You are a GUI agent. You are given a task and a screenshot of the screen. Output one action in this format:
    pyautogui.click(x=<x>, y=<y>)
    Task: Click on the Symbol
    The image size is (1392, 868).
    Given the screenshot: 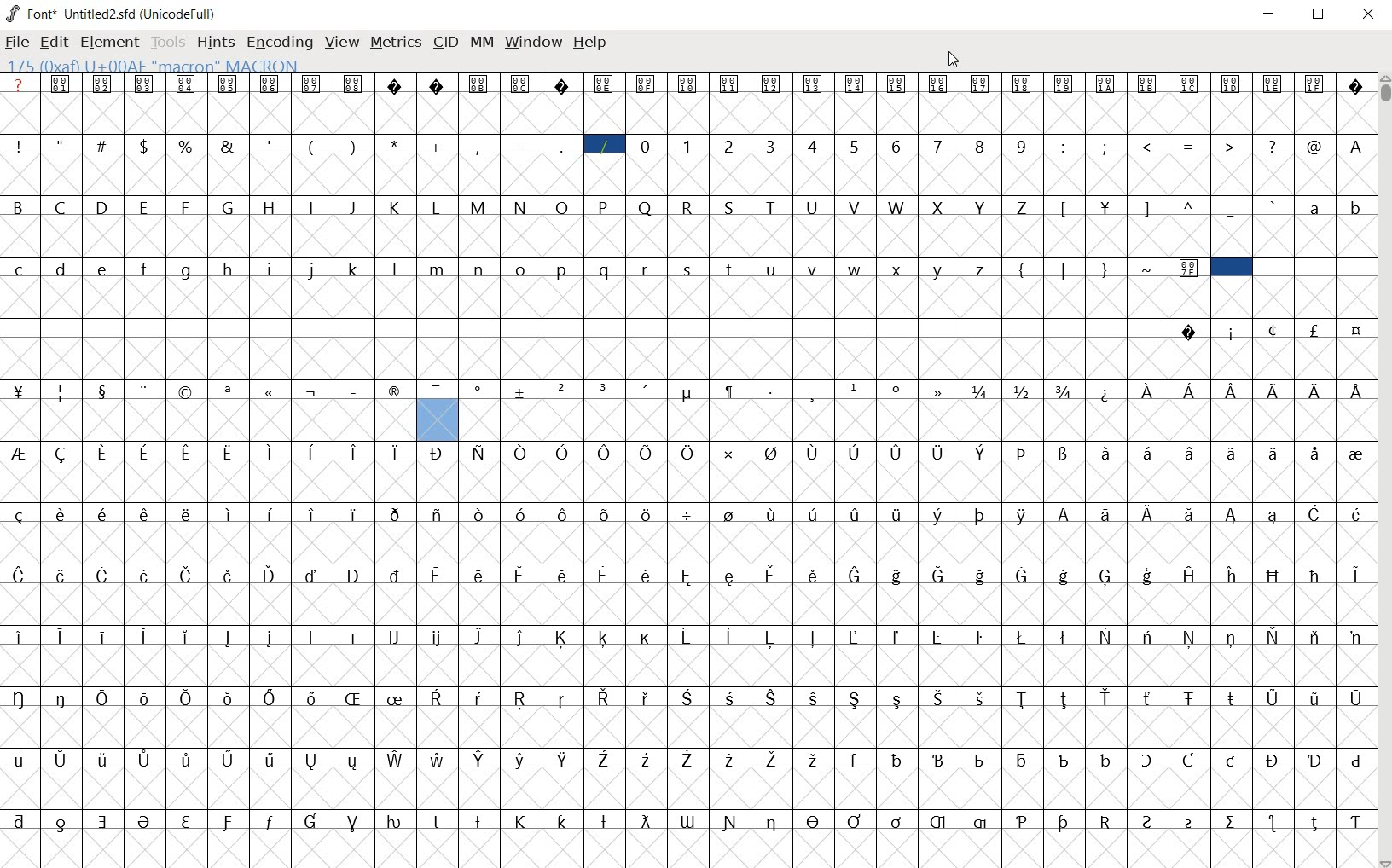 What is the action you would take?
    pyautogui.click(x=981, y=574)
    